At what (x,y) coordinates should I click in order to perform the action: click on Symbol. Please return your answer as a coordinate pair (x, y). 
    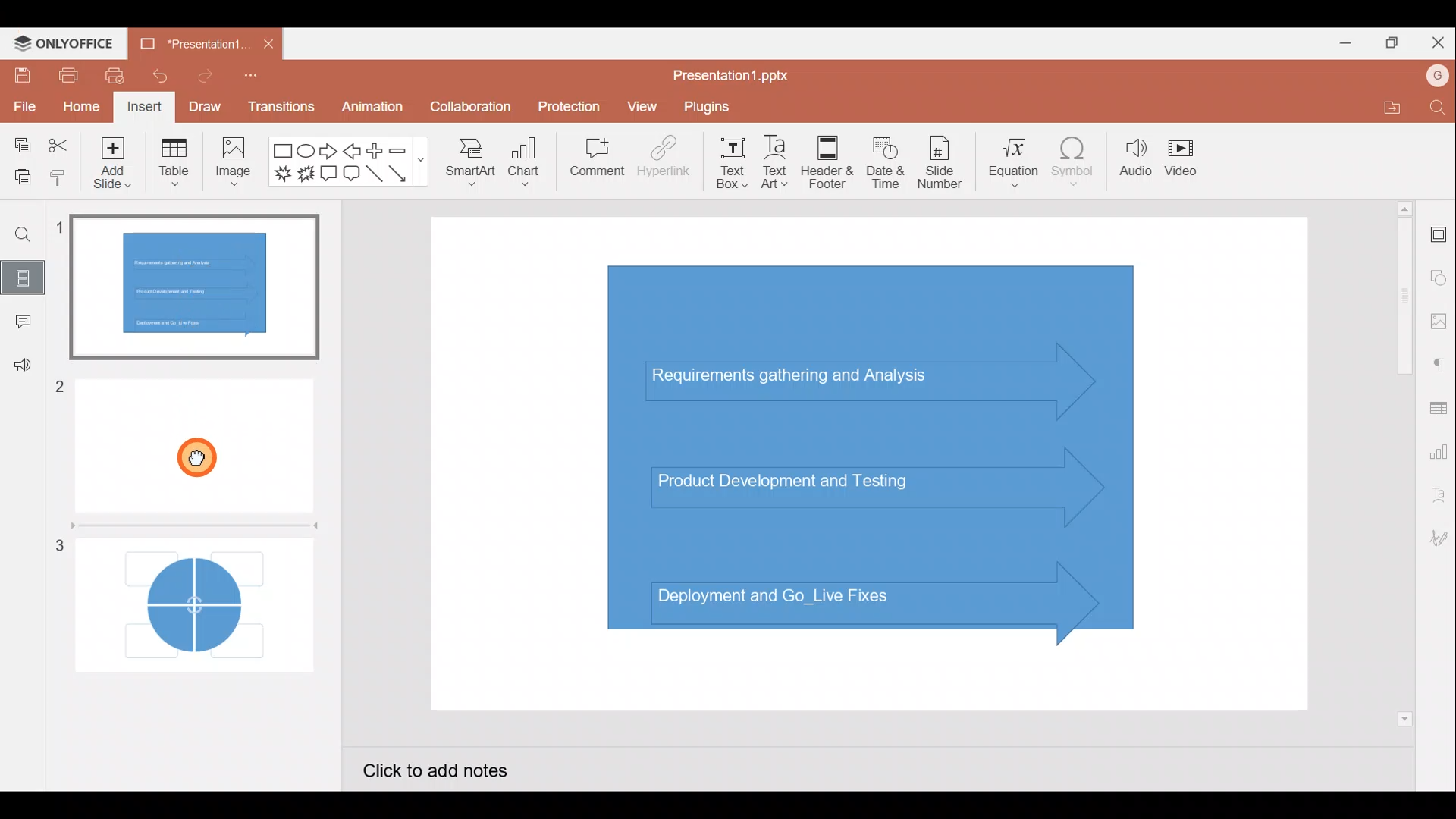
    Looking at the image, I should click on (1074, 165).